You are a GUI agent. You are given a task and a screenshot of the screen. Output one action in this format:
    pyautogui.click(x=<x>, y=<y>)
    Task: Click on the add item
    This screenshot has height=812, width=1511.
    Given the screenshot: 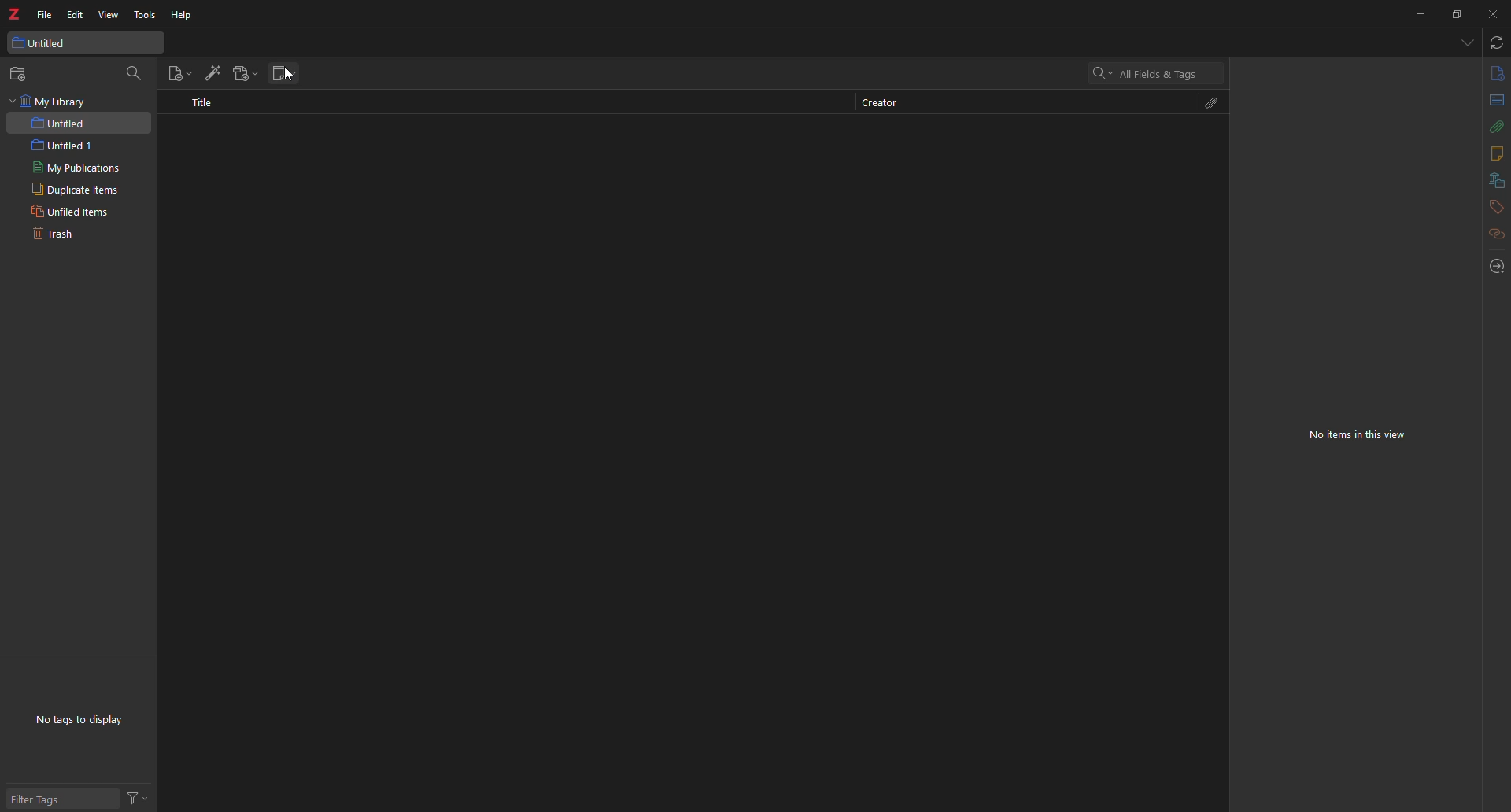 What is the action you would take?
    pyautogui.click(x=212, y=73)
    